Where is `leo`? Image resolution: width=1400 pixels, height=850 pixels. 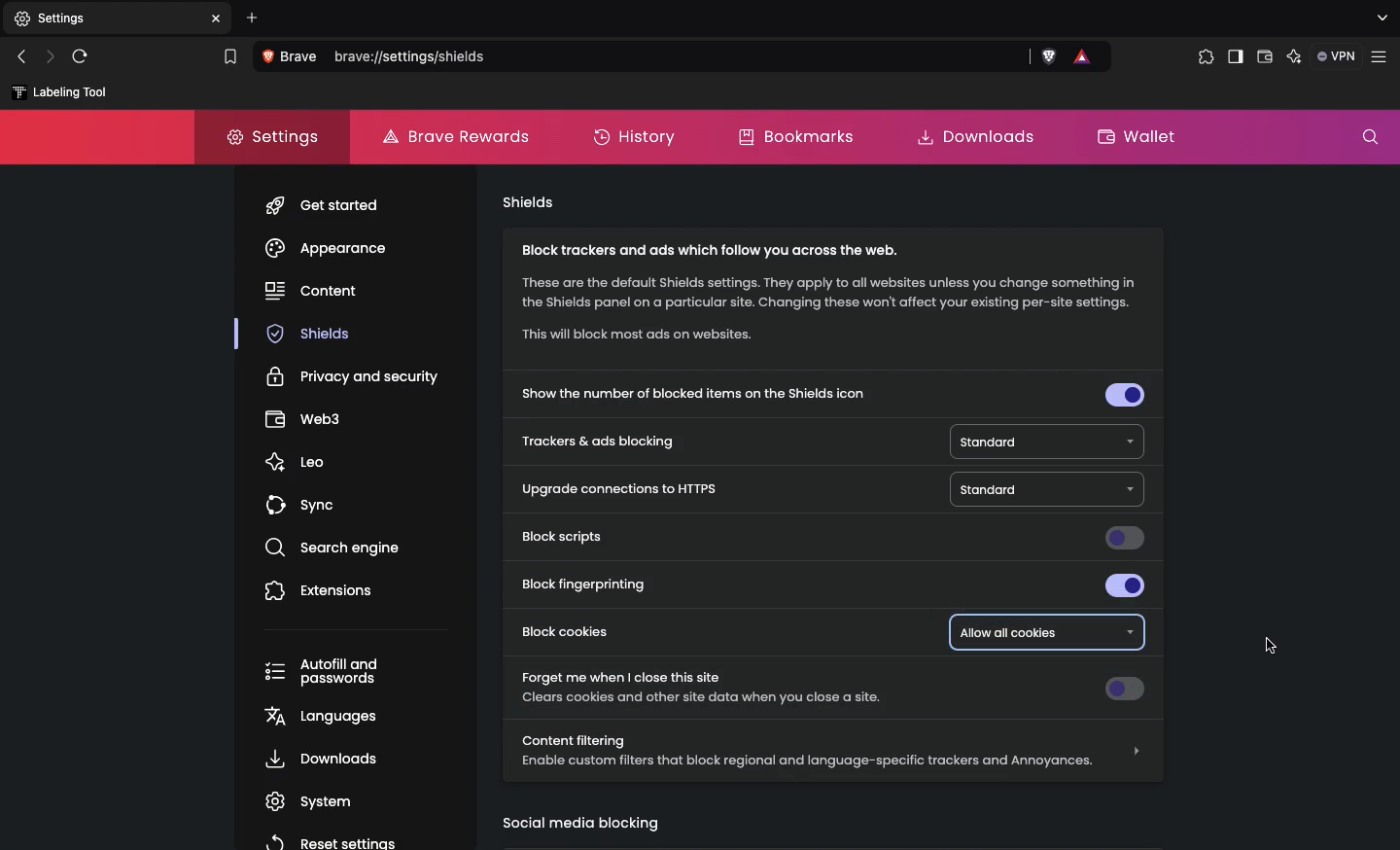
leo is located at coordinates (299, 464).